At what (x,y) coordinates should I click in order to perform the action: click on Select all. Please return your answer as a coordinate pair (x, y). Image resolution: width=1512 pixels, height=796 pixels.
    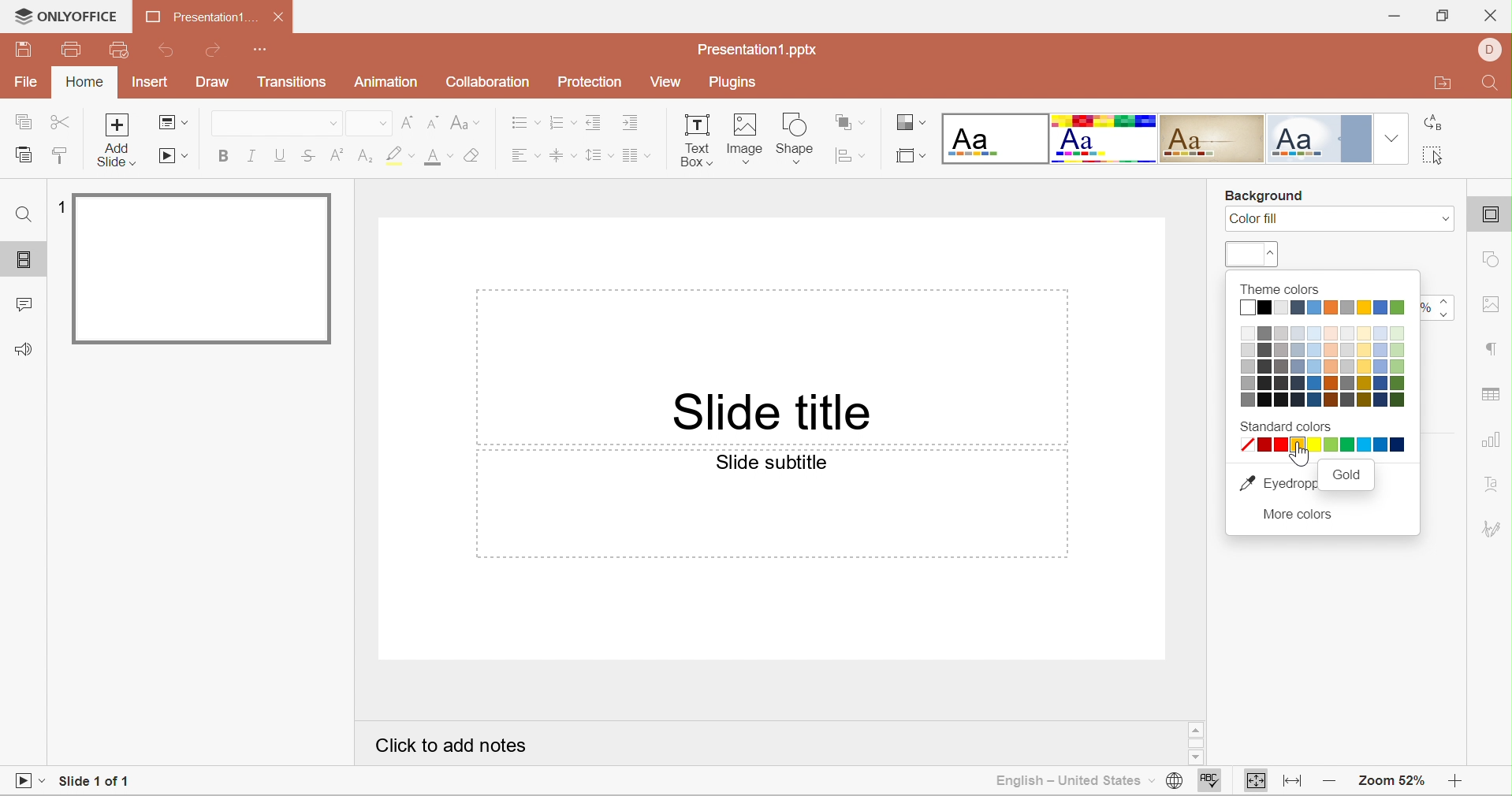
    Looking at the image, I should click on (1435, 158).